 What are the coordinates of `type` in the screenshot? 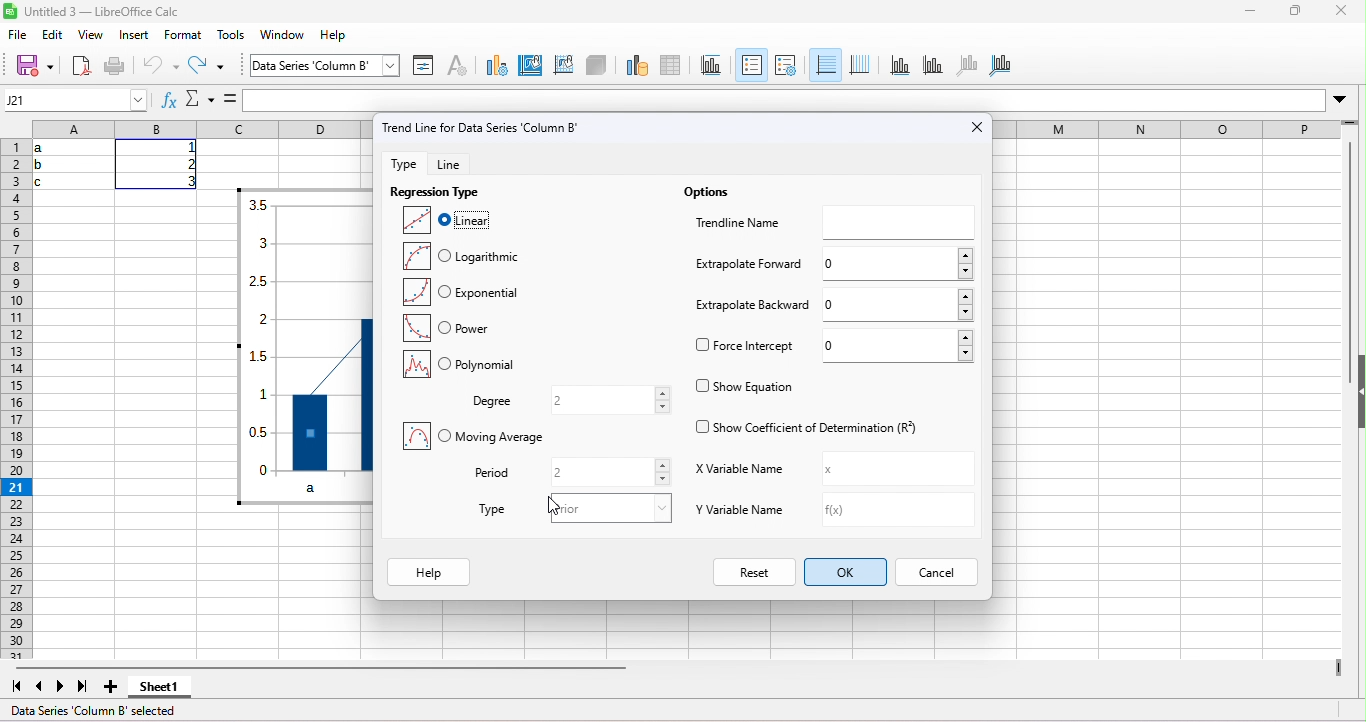 It's located at (497, 69).